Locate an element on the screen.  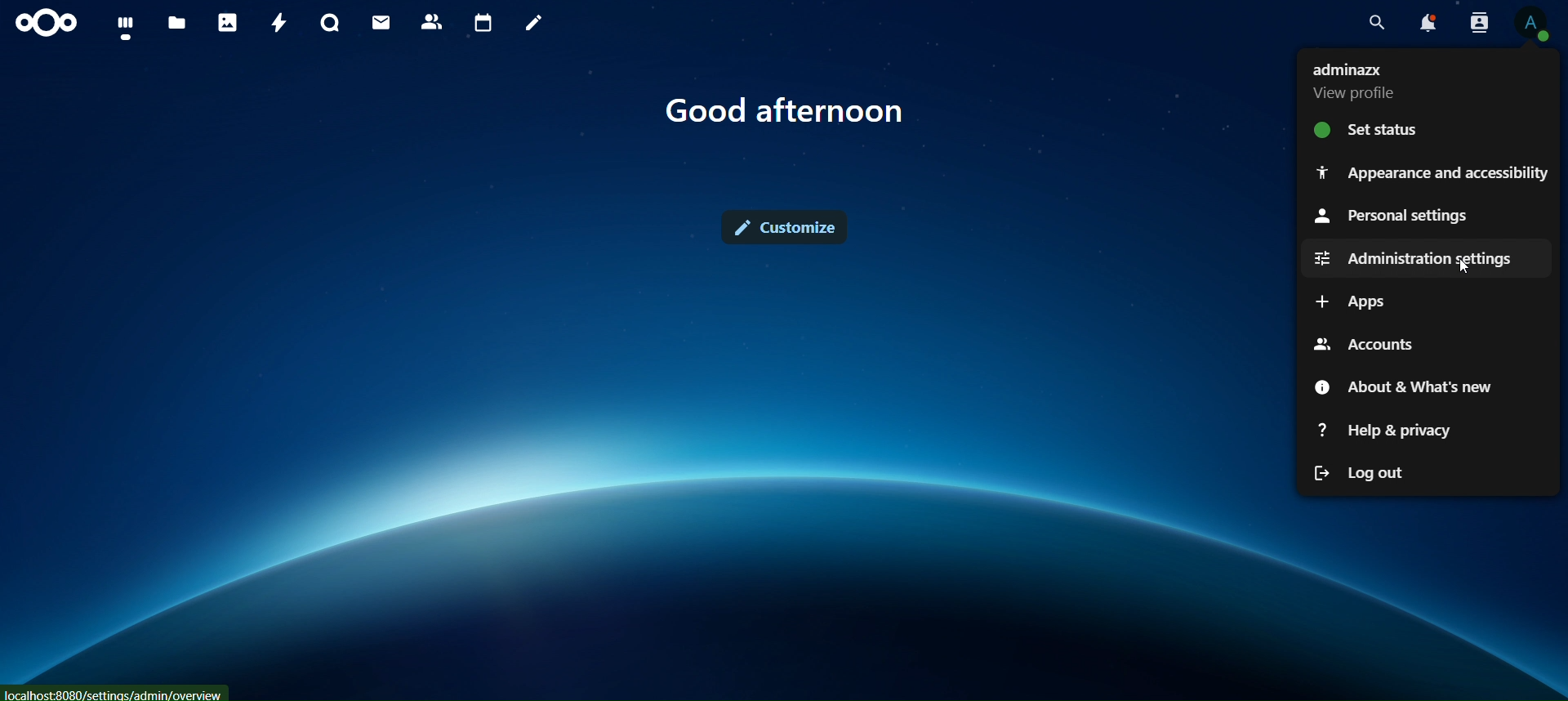
search is located at coordinates (1375, 23).